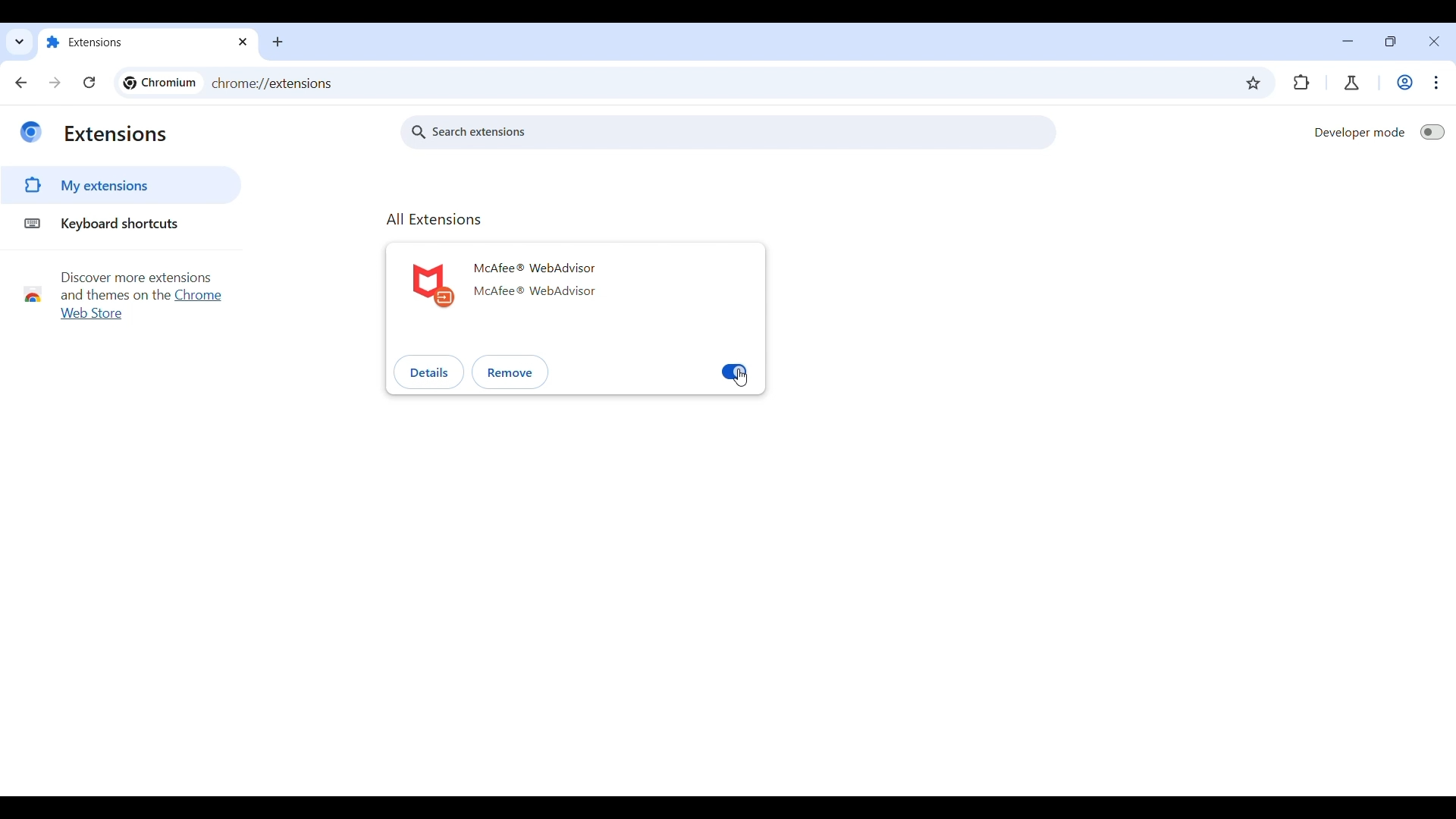  Describe the element at coordinates (1390, 41) in the screenshot. I see `Show interface in a smaller tab` at that location.